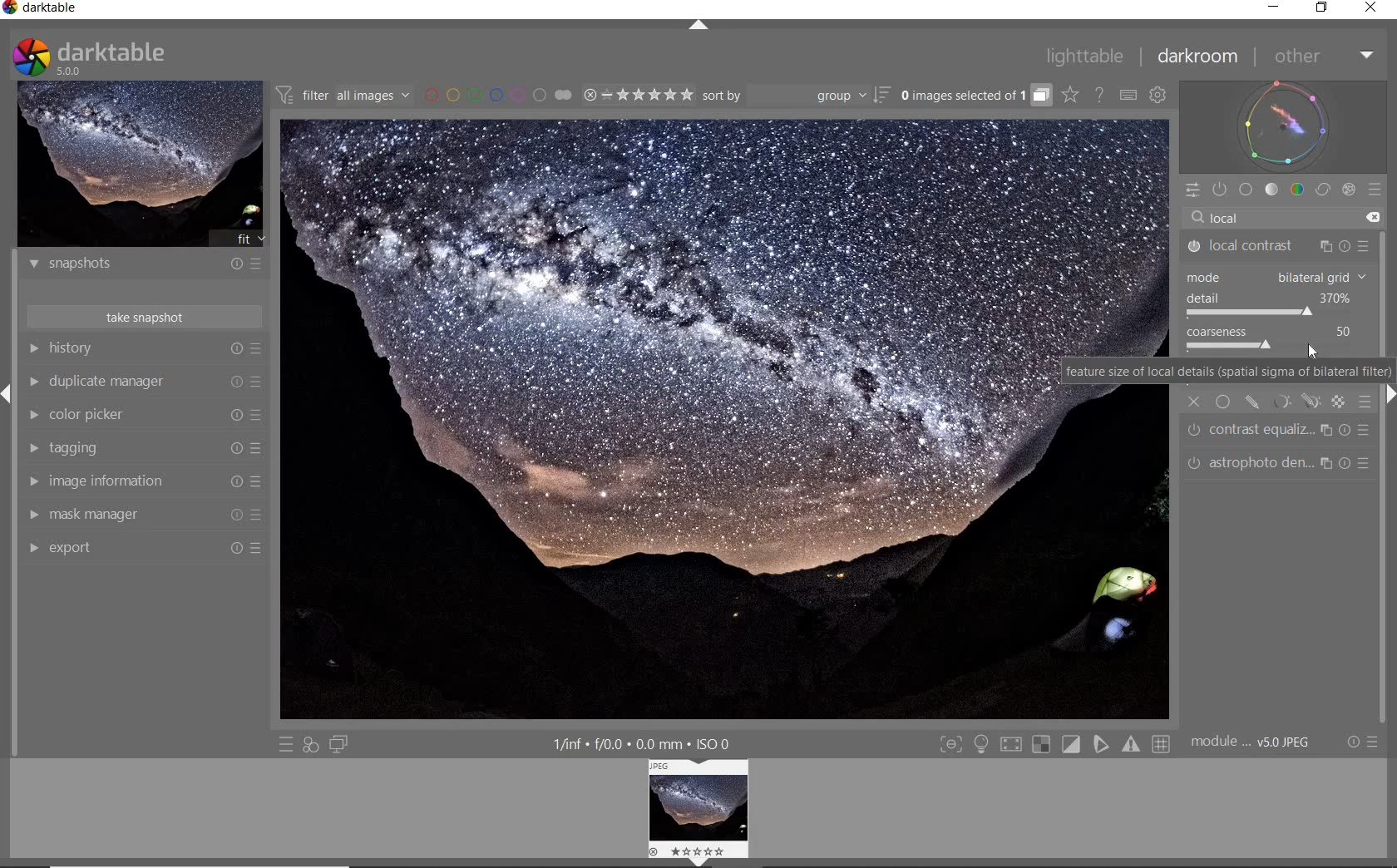 The width and height of the screenshot is (1397, 868). What do you see at coordinates (33, 516) in the screenshot?
I see `MASK MANAGER` at bounding box center [33, 516].